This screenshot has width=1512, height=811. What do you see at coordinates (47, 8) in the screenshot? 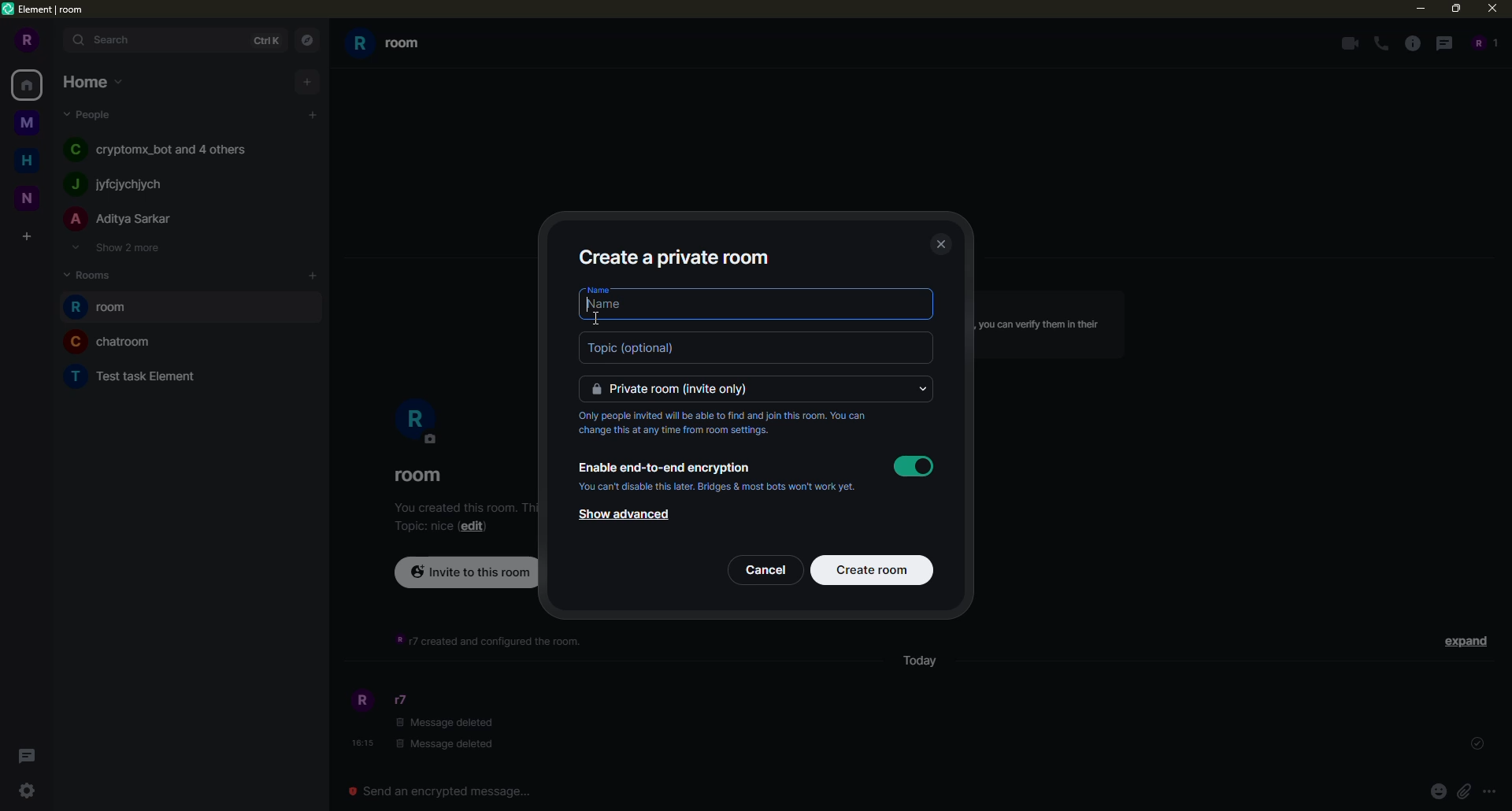
I see `element` at bounding box center [47, 8].